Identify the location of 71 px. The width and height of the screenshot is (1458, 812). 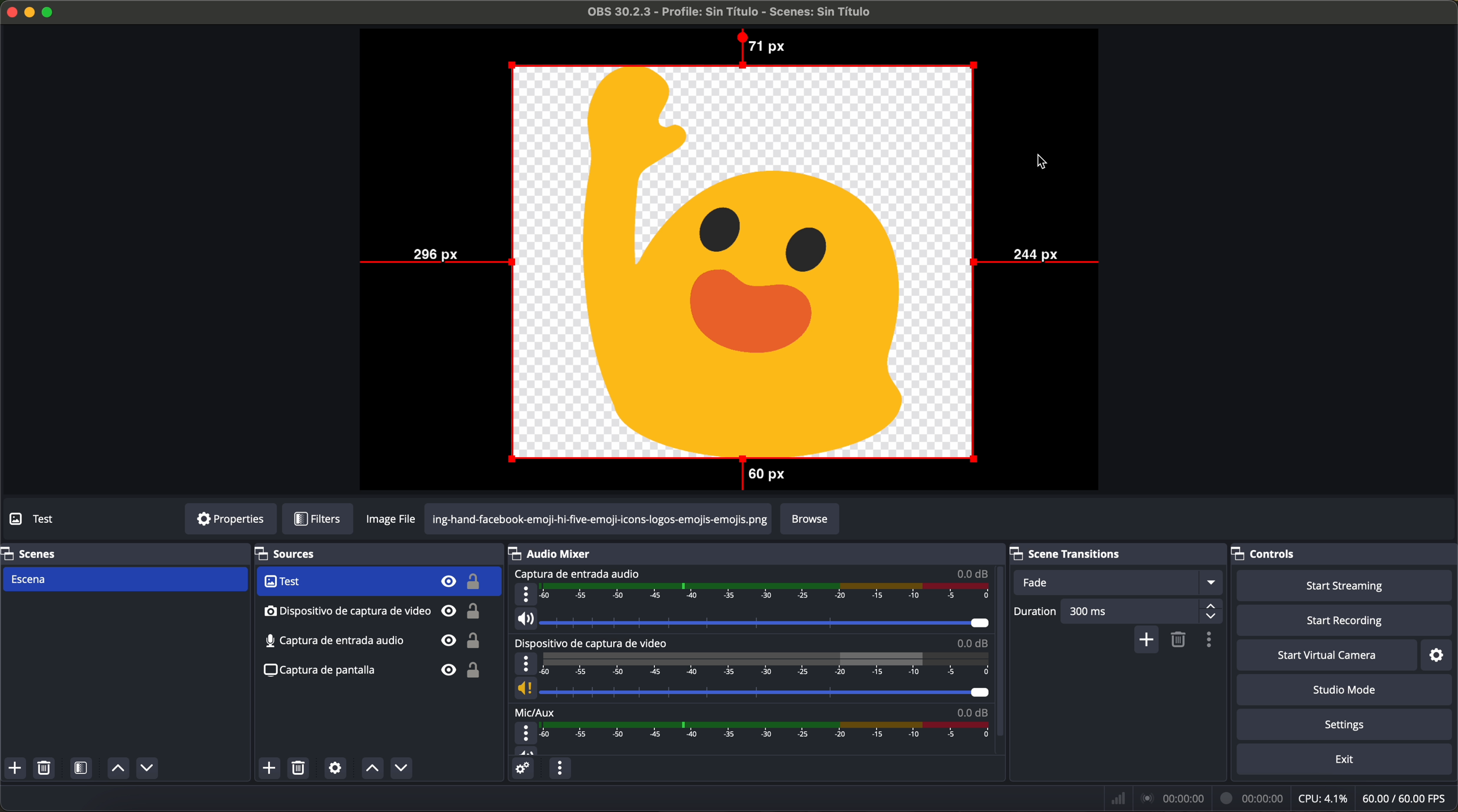
(760, 46).